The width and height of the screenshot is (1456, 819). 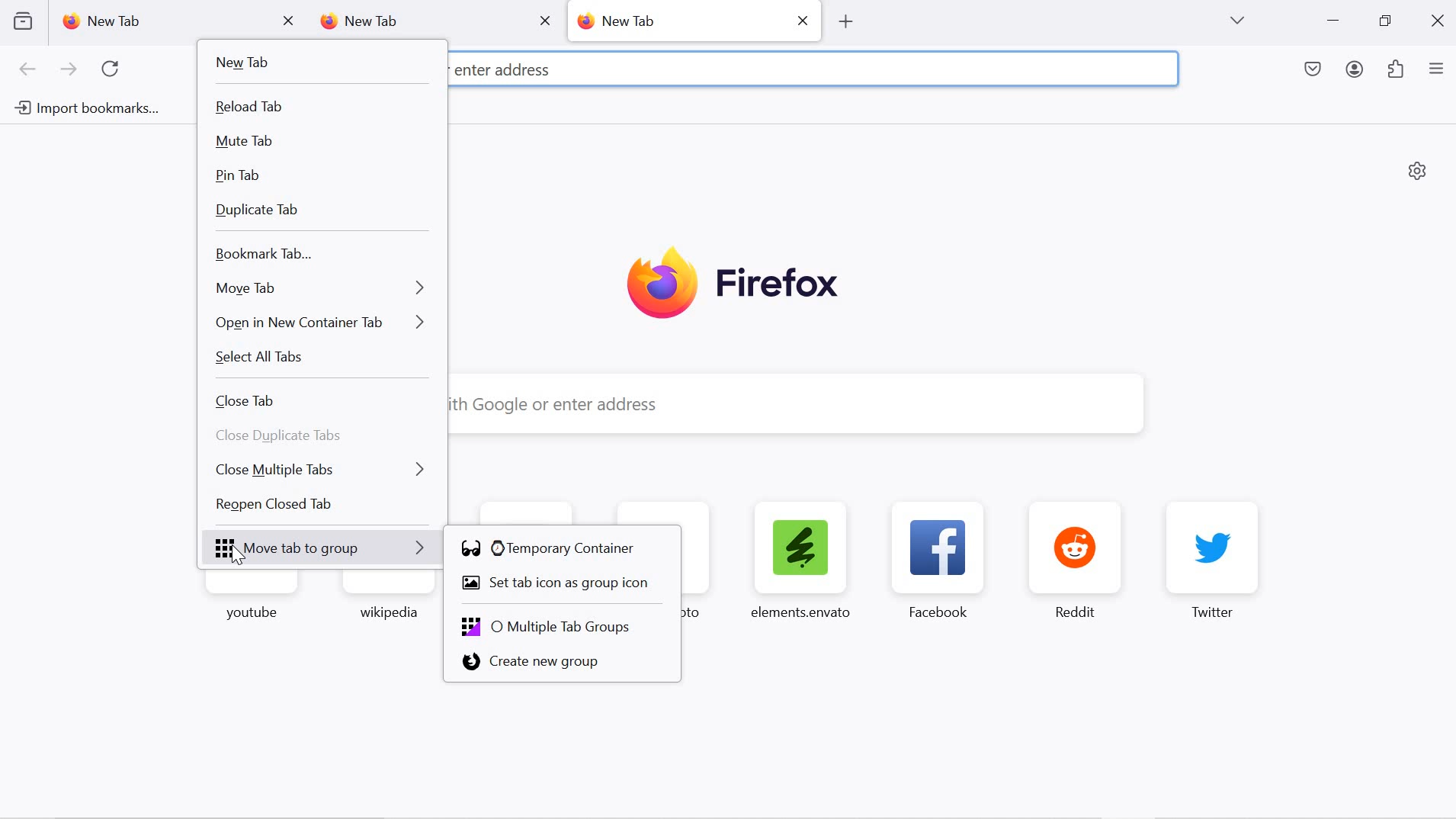 What do you see at coordinates (785, 405) in the screenshot?
I see `y Search with Google or enter address` at bounding box center [785, 405].